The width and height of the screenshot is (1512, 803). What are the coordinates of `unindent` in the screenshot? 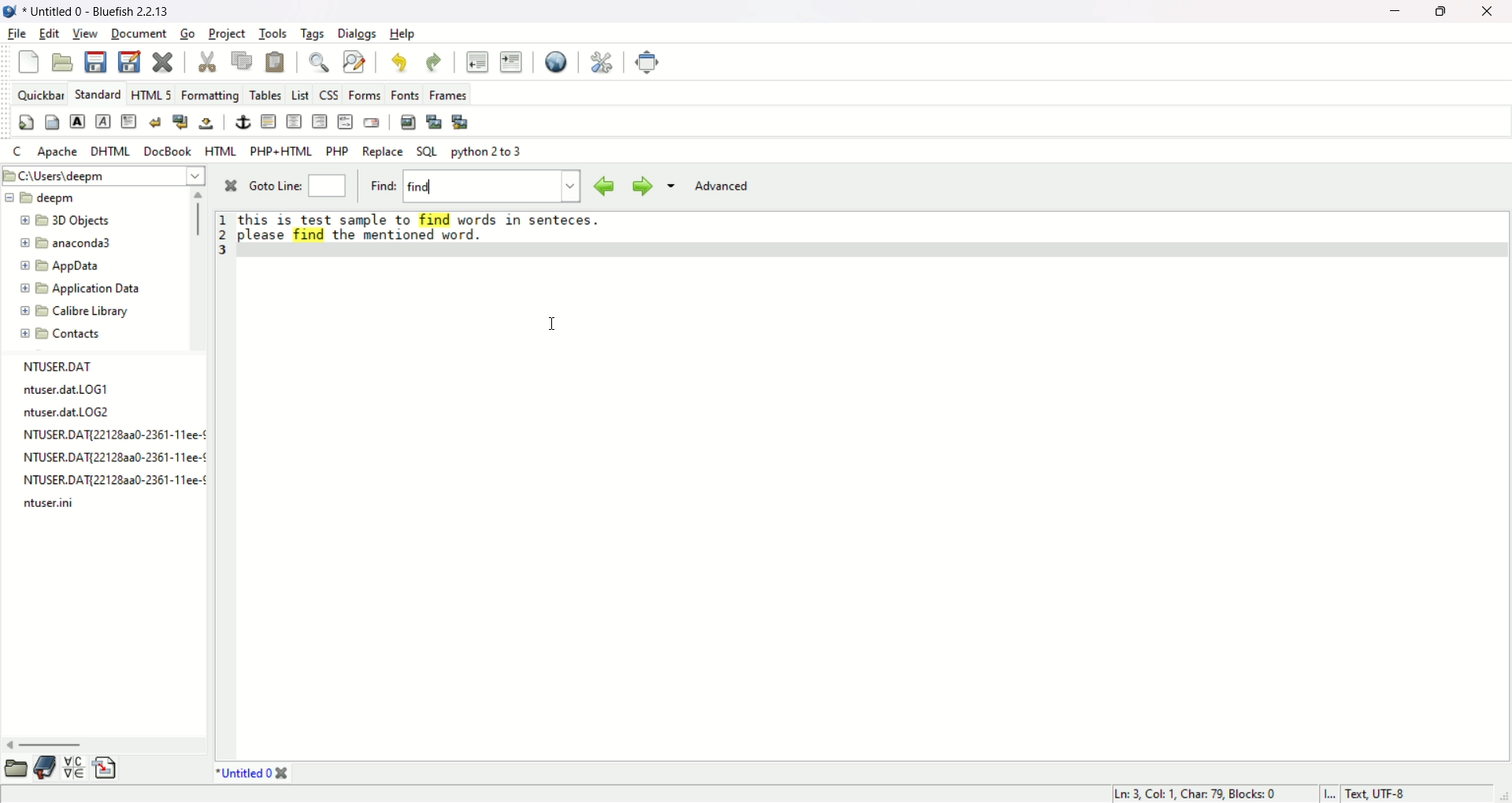 It's located at (476, 61).